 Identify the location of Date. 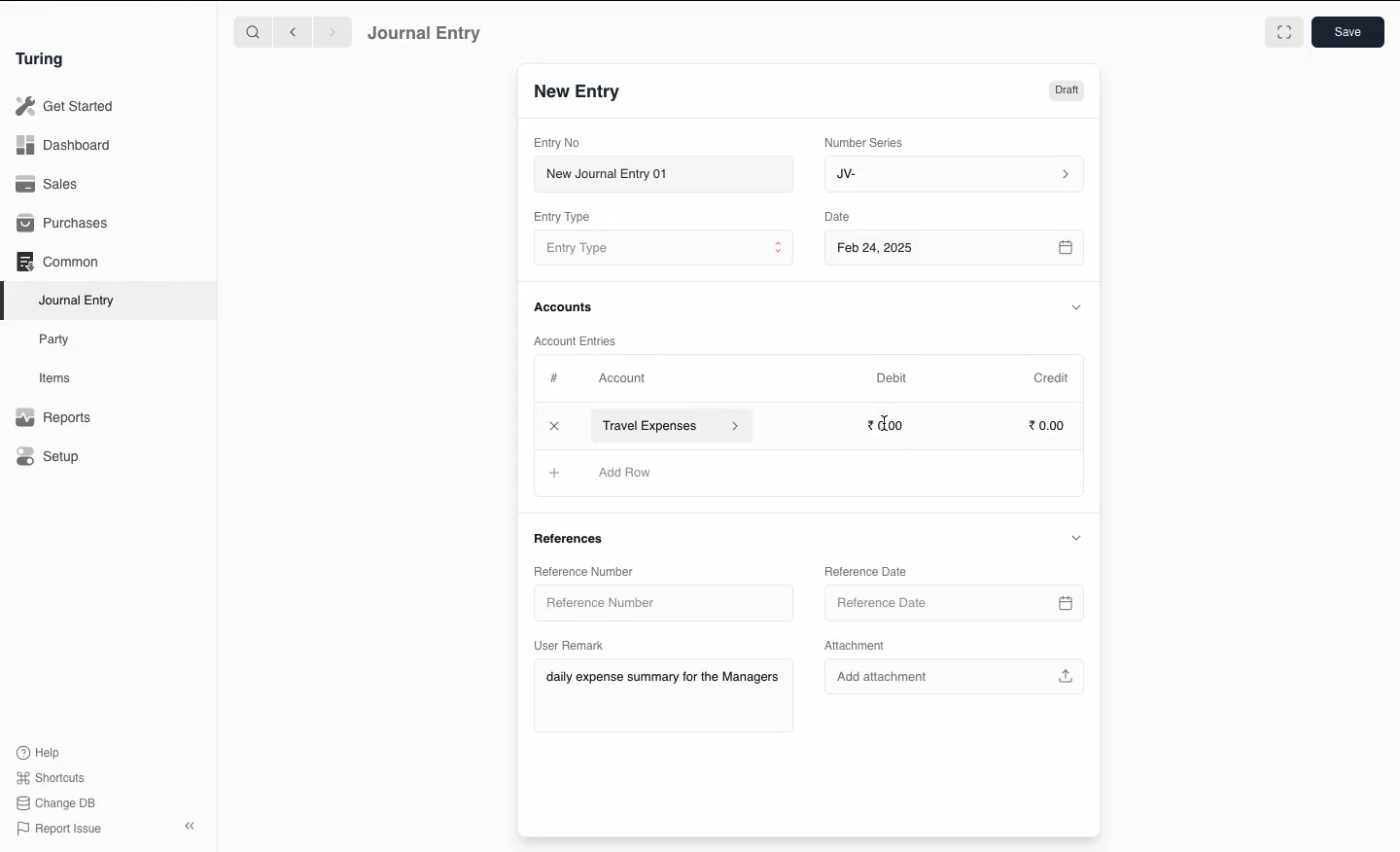
(840, 216).